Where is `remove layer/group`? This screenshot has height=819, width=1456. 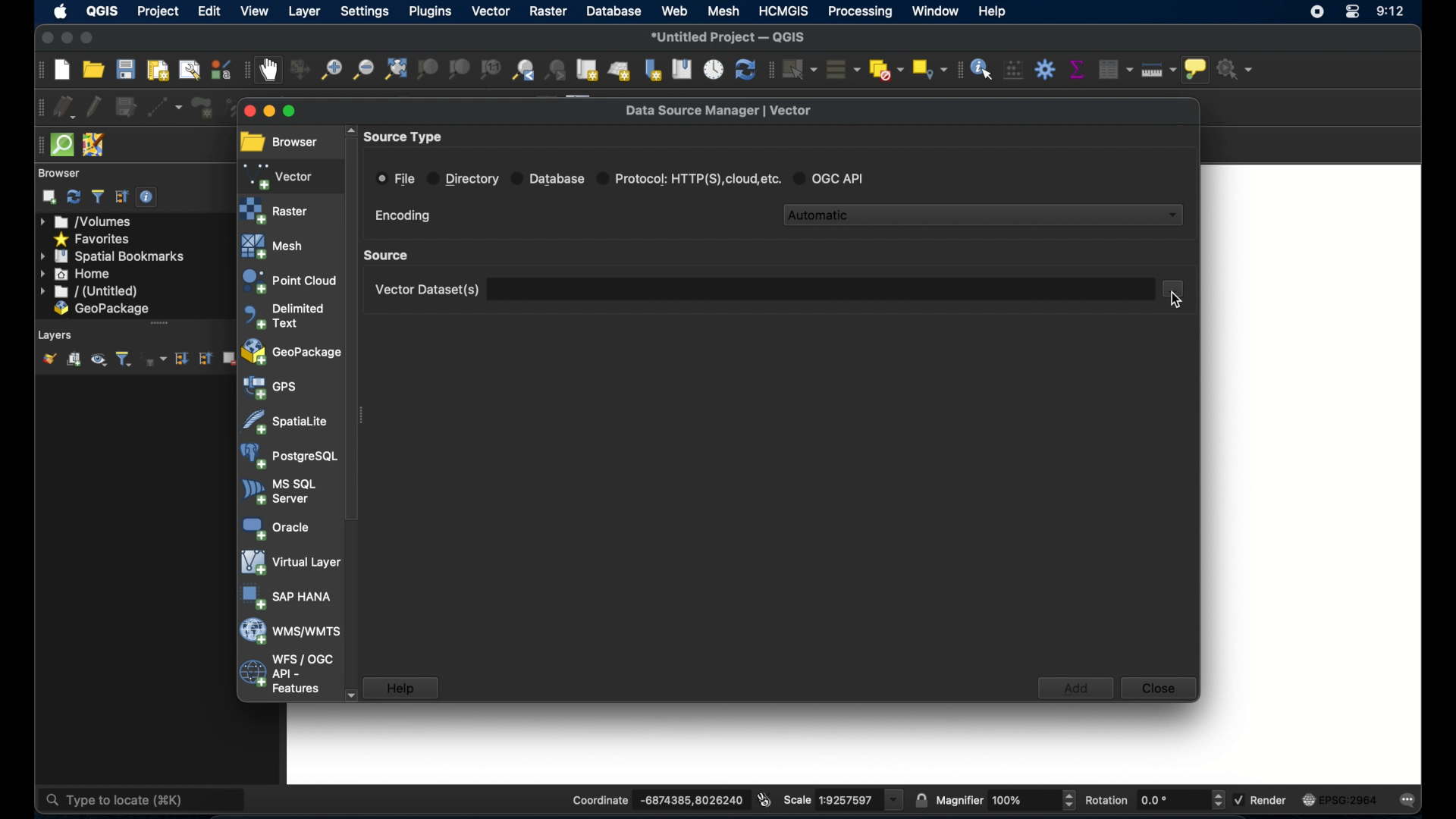
remove layer/group is located at coordinates (231, 359).